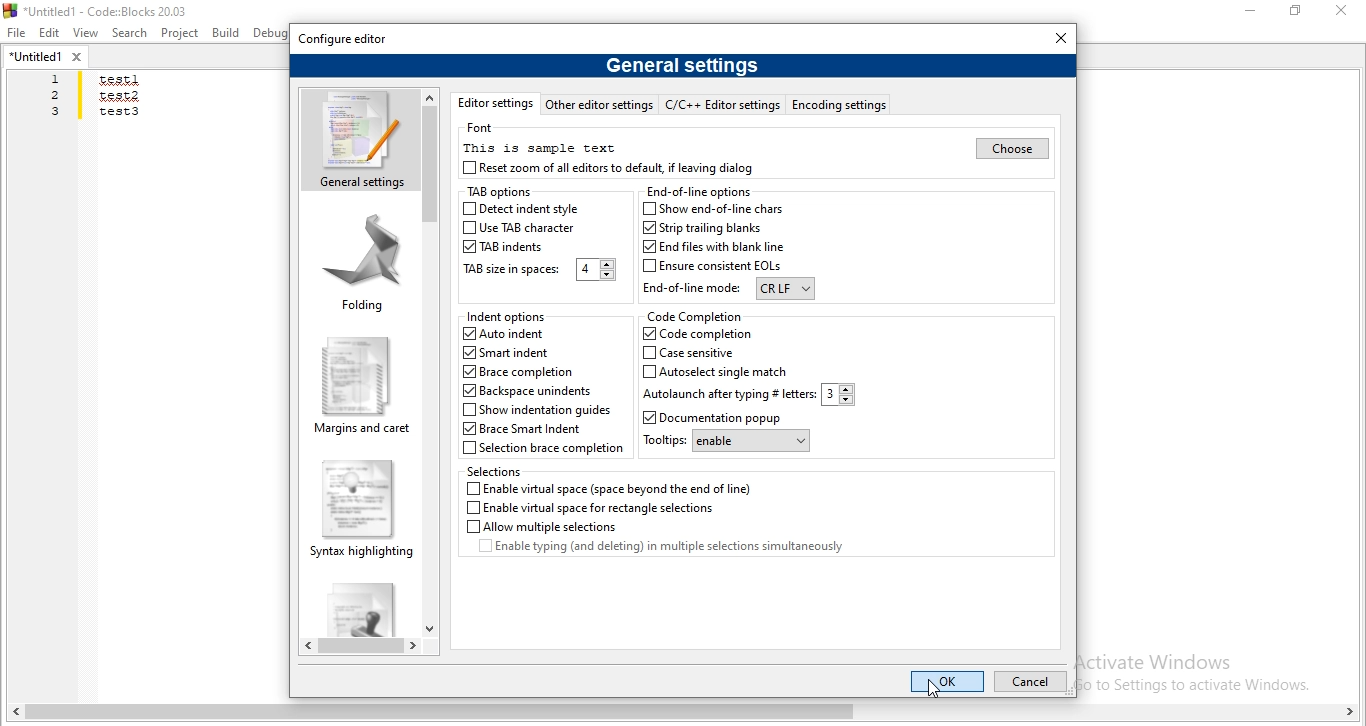  I want to click on Selections, so click(498, 471).